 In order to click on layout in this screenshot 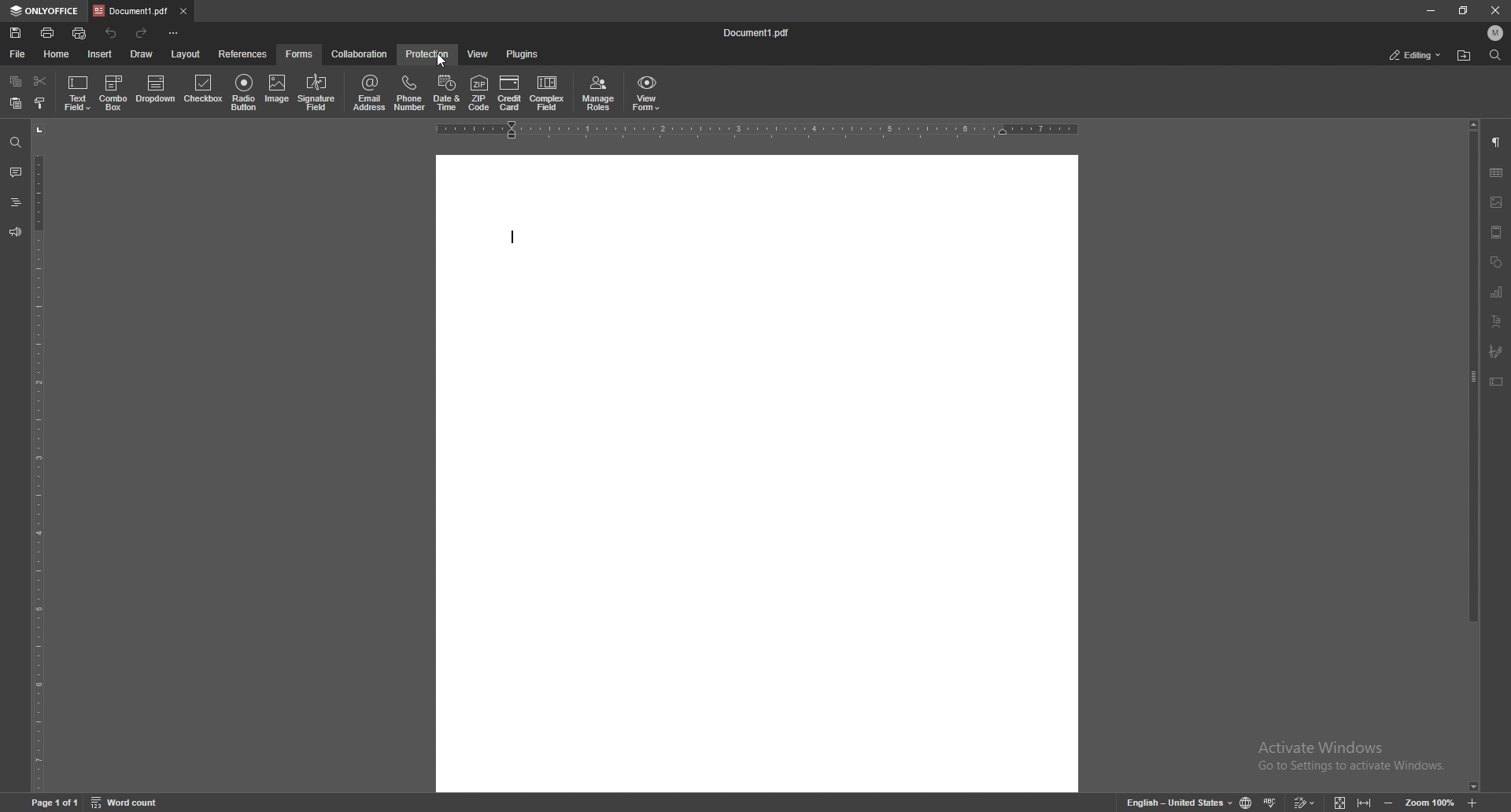, I will do `click(188, 54)`.